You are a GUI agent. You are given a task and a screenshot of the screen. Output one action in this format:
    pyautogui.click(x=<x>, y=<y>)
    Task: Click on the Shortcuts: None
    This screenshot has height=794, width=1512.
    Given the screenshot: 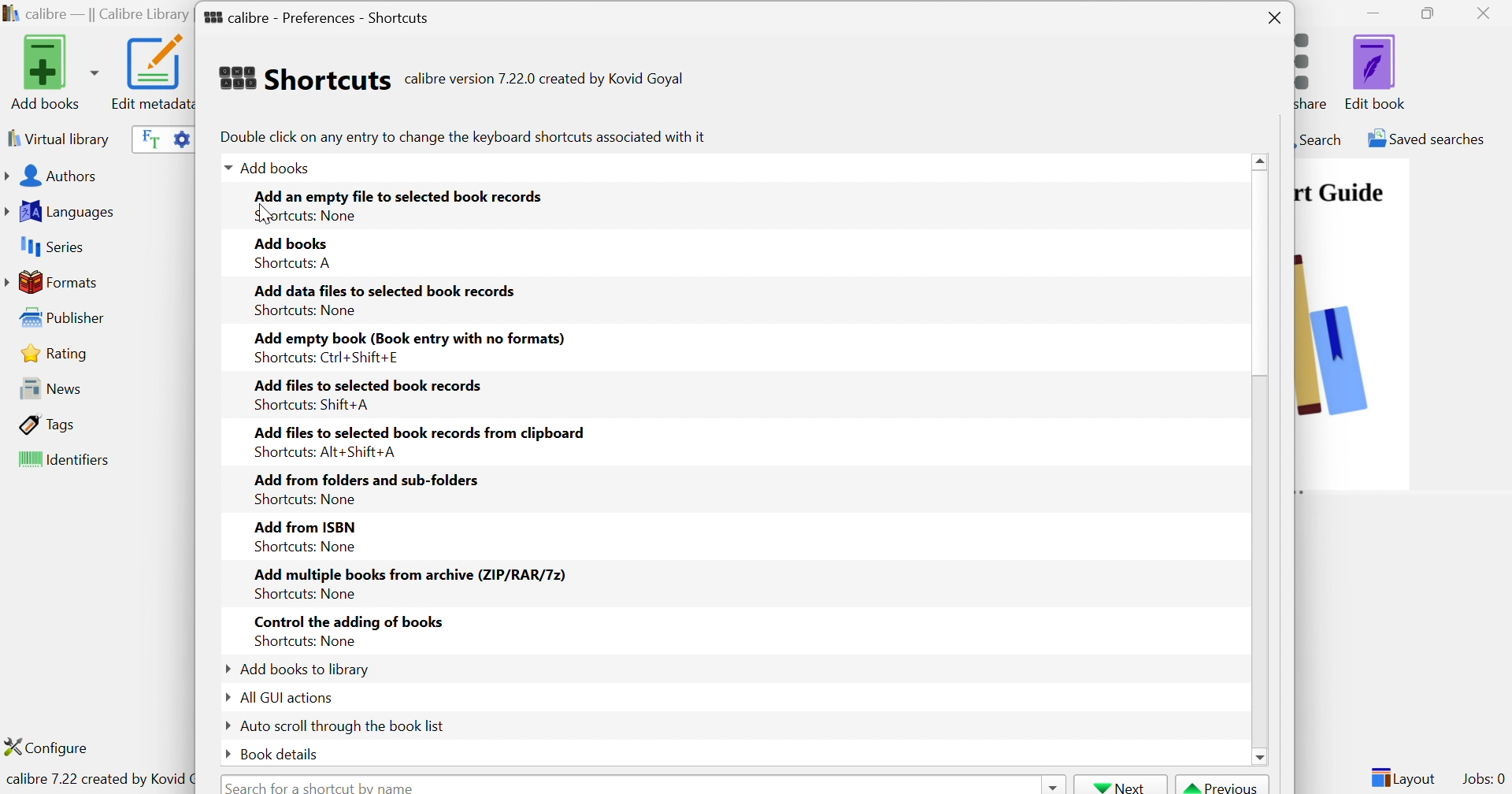 What is the action you would take?
    pyautogui.click(x=306, y=309)
    